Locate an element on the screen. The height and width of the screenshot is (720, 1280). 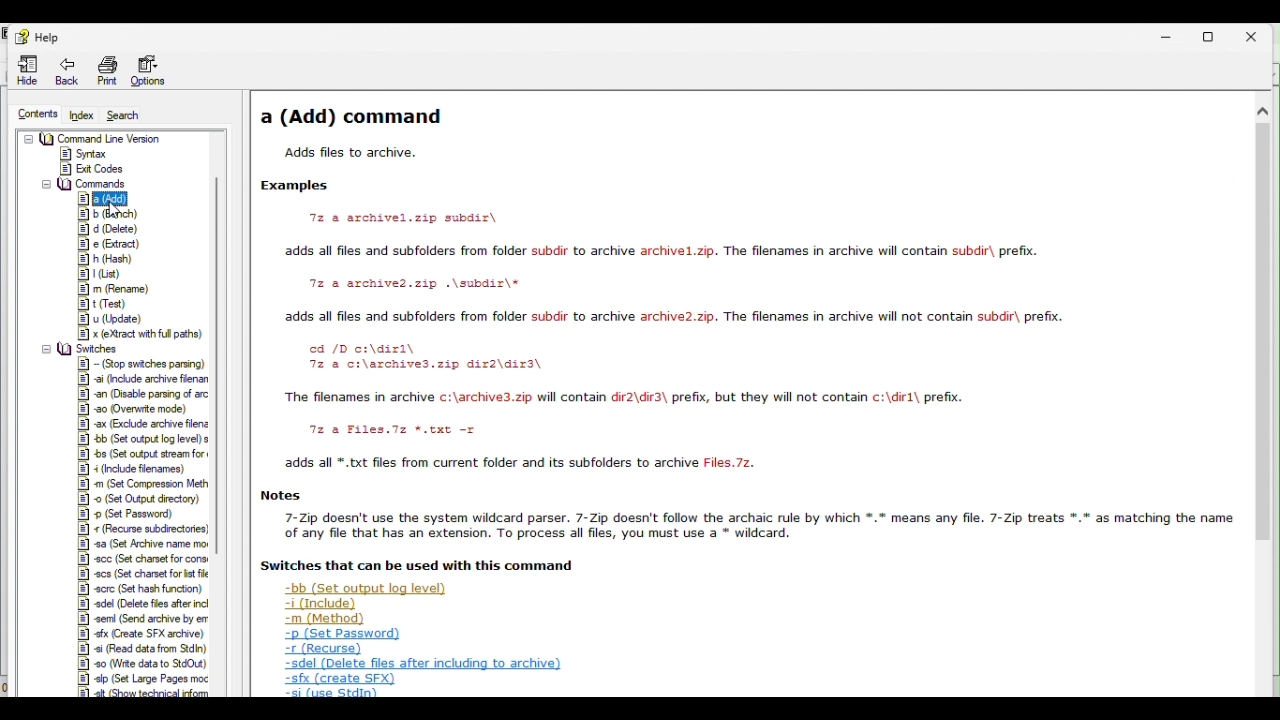
Scrollbar is located at coordinates (1263, 400).